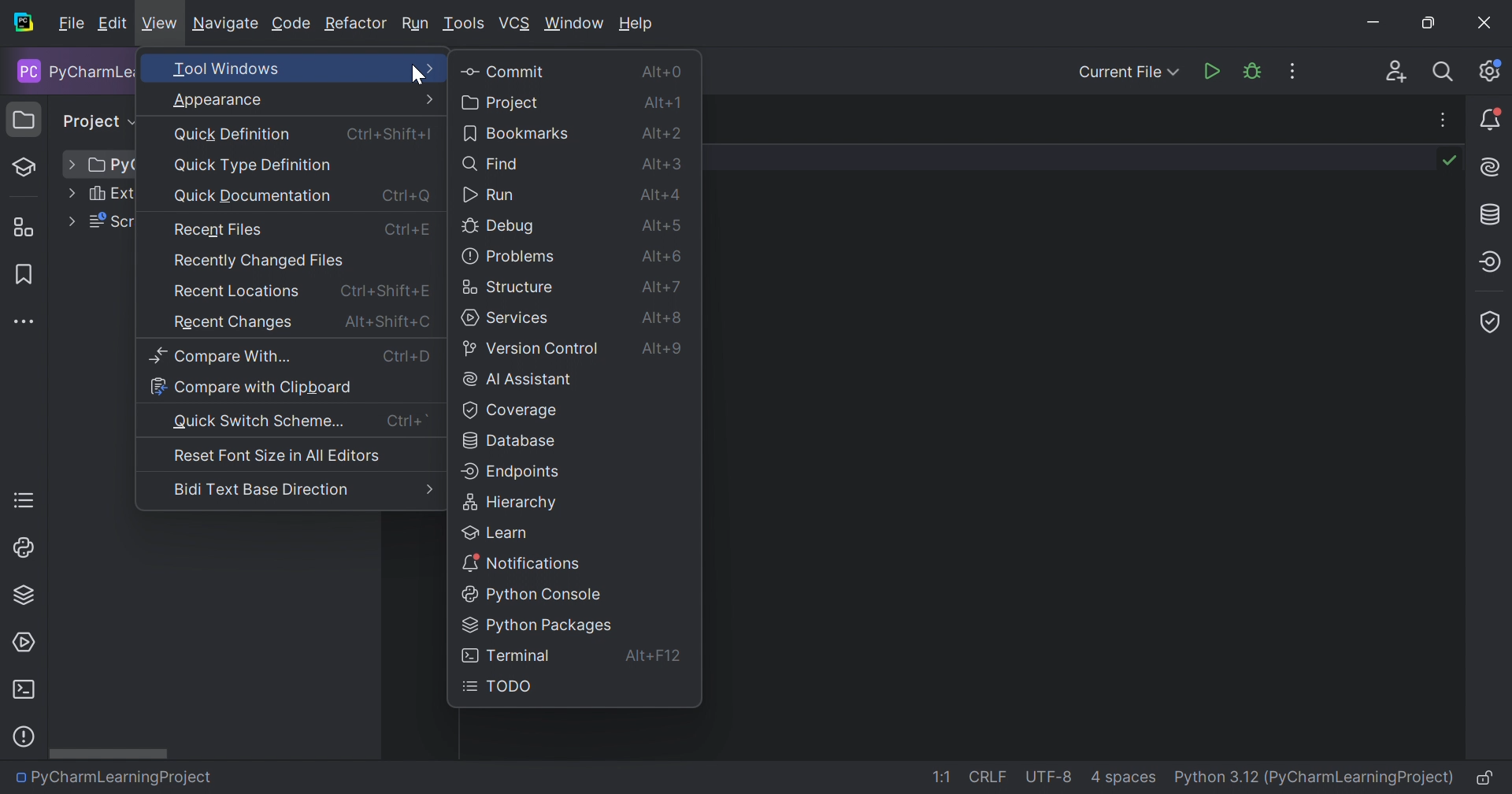 The width and height of the screenshot is (1512, 794). What do you see at coordinates (538, 625) in the screenshot?
I see `Python Packages` at bounding box center [538, 625].